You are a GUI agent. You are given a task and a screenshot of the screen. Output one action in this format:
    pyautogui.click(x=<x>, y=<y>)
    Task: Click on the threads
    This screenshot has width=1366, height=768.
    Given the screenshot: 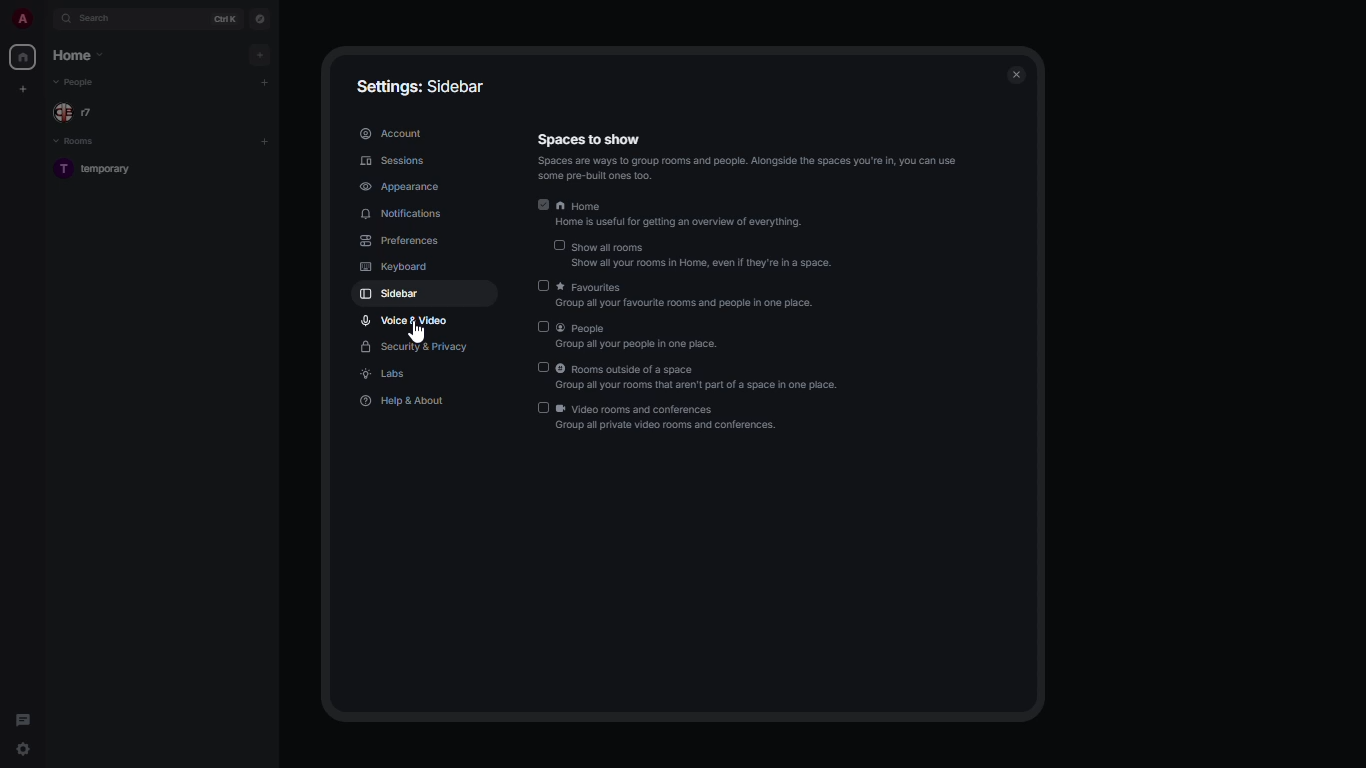 What is the action you would take?
    pyautogui.click(x=22, y=716)
    